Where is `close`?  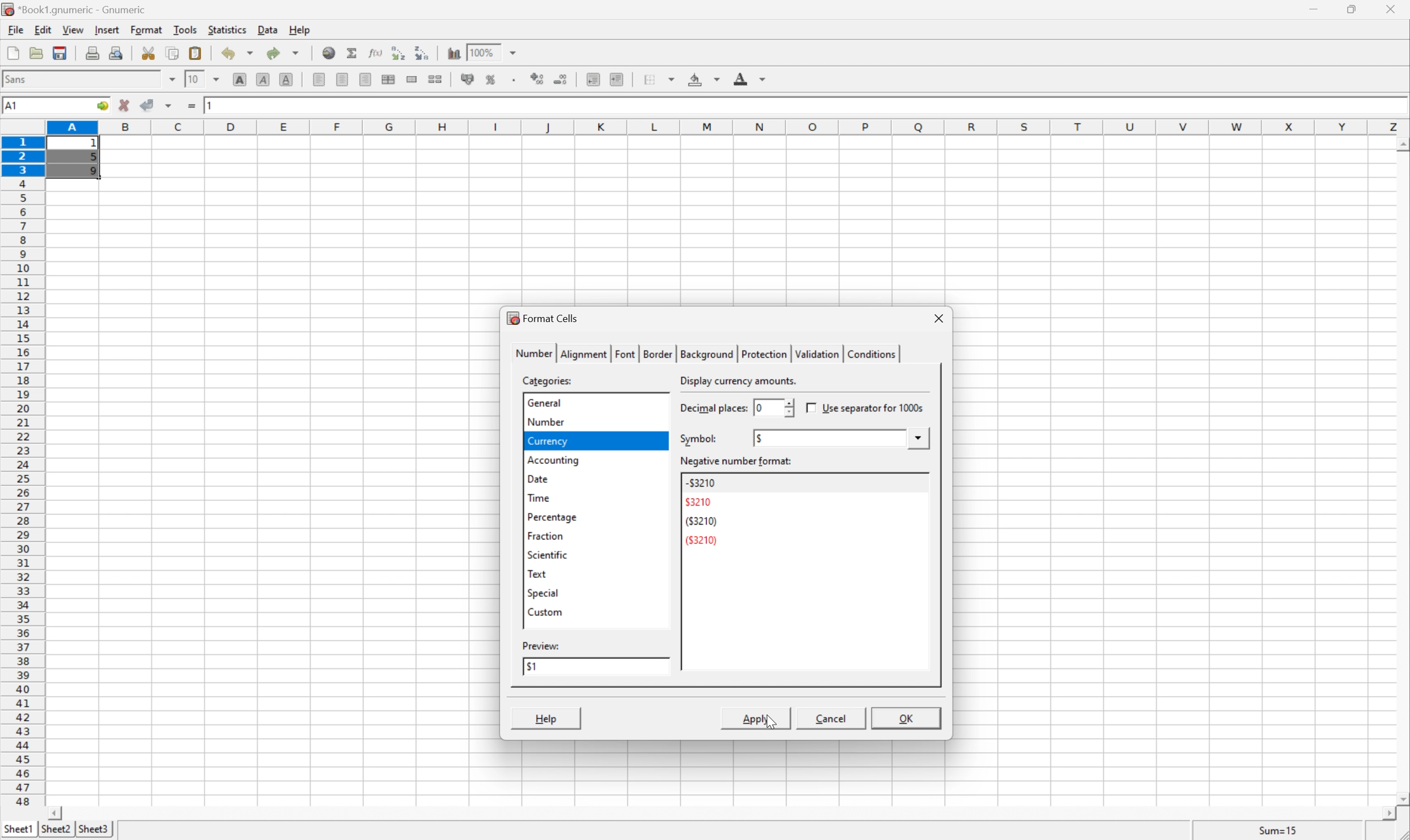
close is located at coordinates (939, 319).